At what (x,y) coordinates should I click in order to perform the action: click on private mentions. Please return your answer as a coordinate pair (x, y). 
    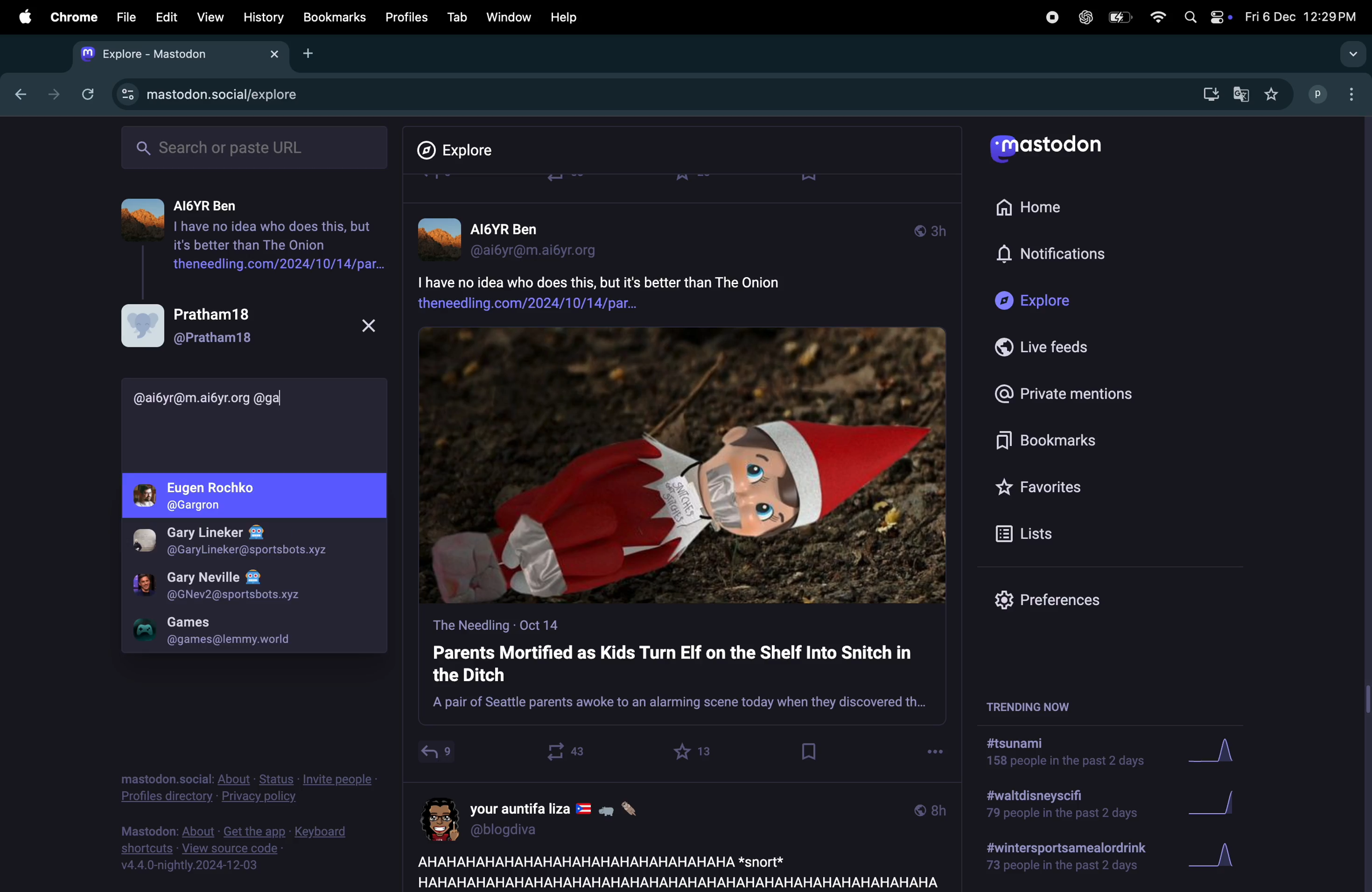
    Looking at the image, I should click on (1062, 392).